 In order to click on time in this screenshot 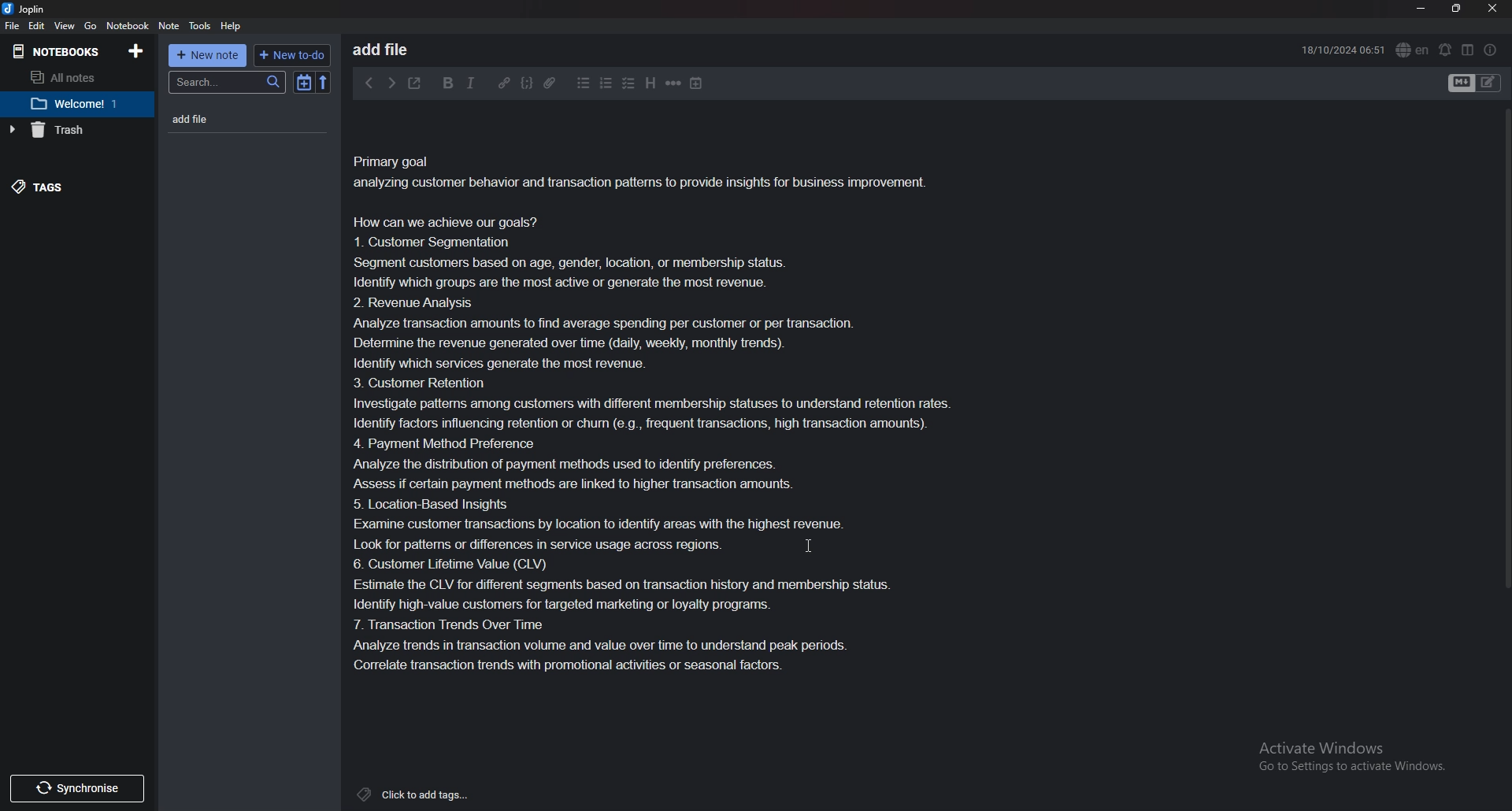, I will do `click(1341, 49)`.